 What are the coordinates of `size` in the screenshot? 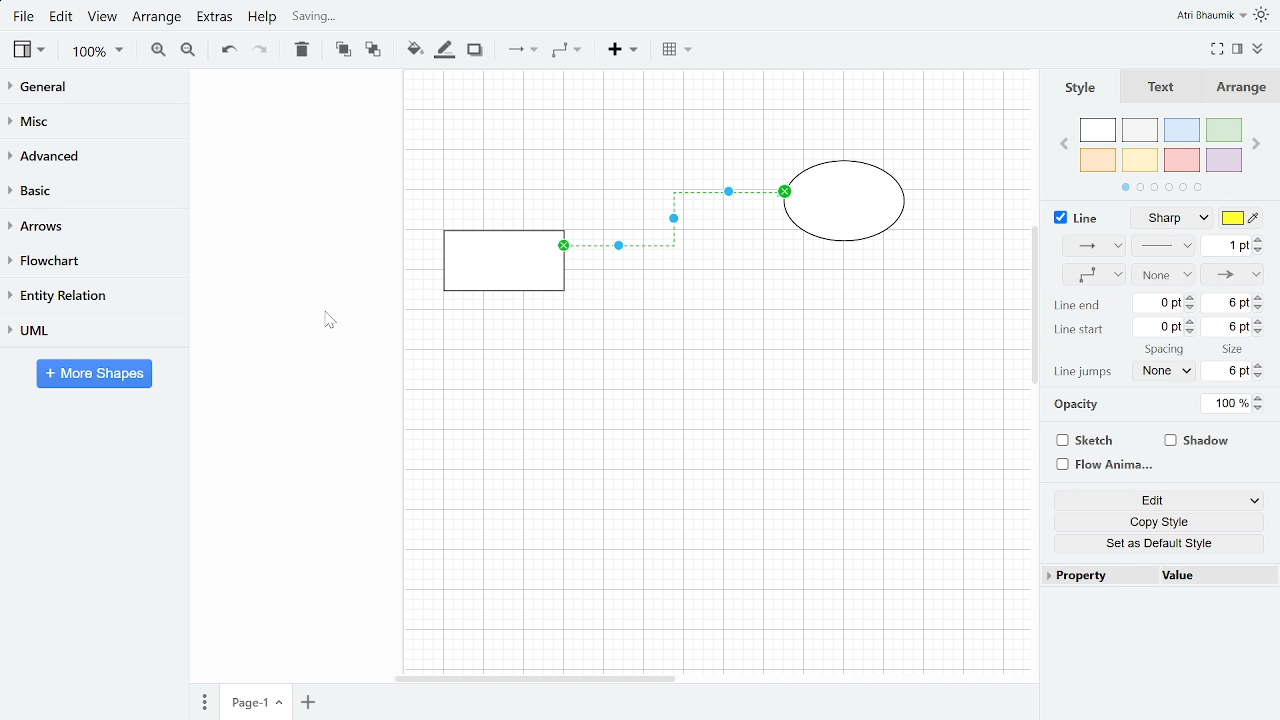 It's located at (1227, 350).